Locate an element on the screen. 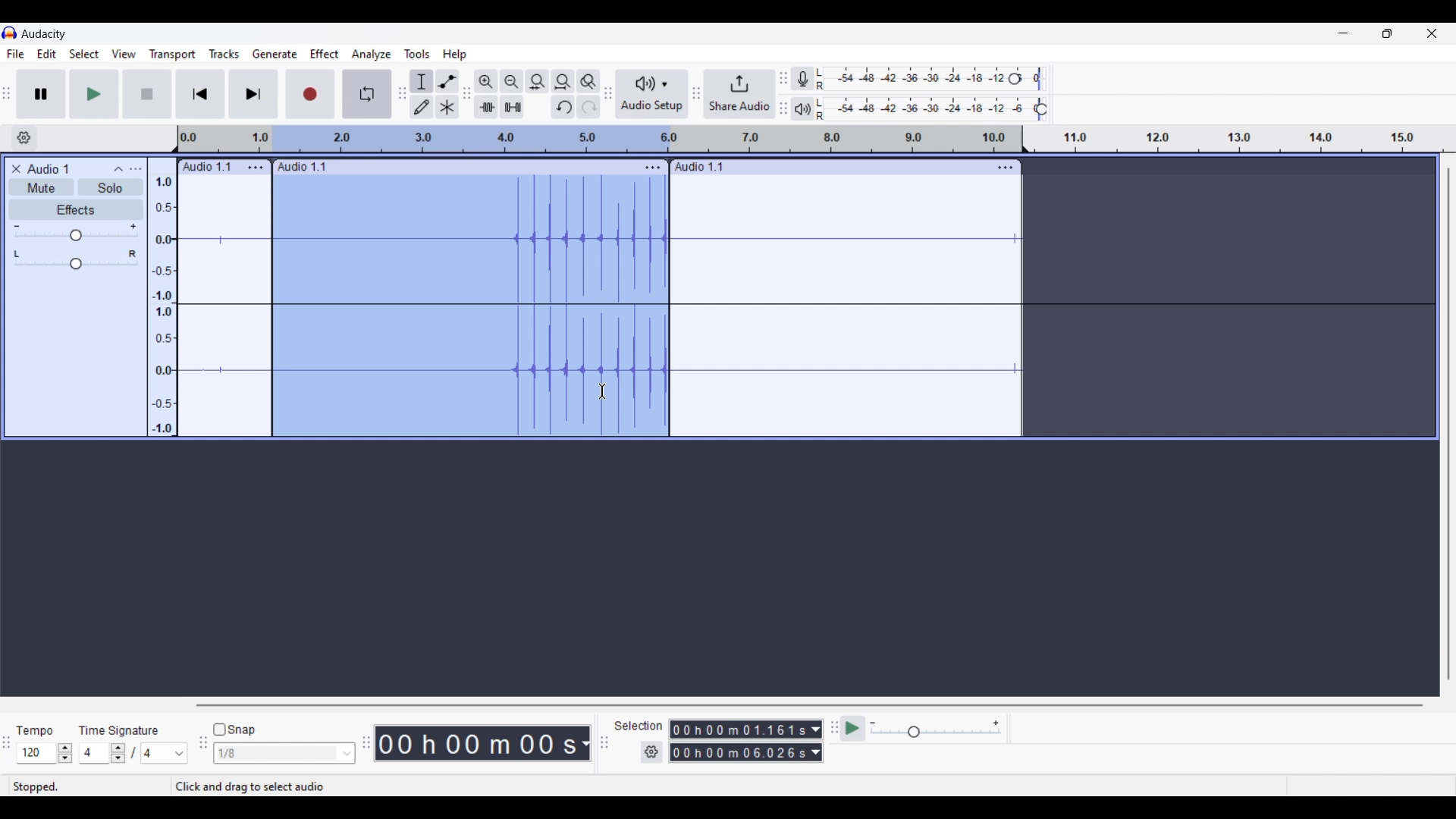  Solo is located at coordinates (110, 187).